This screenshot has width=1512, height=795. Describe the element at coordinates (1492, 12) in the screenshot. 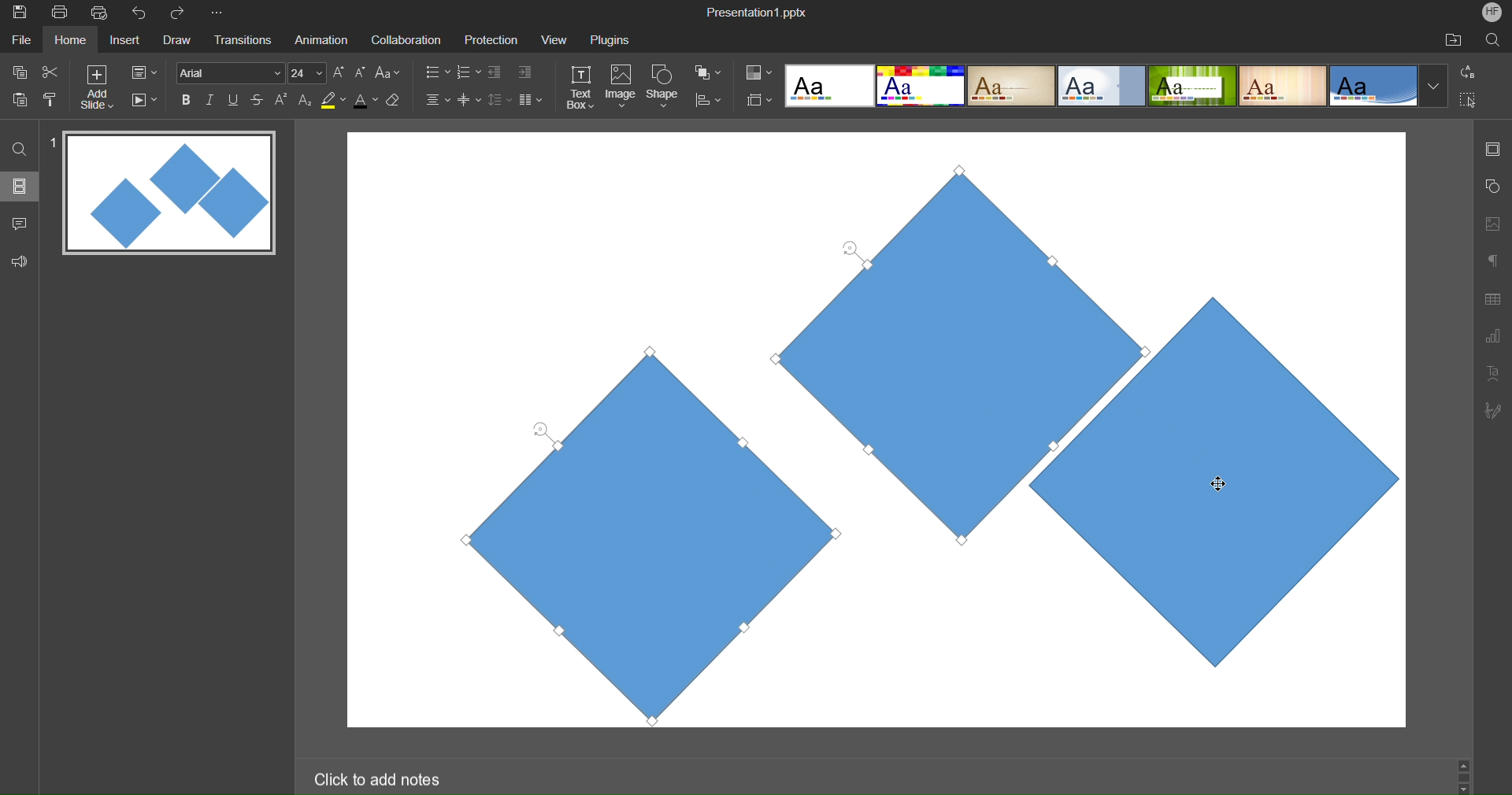

I see `Account` at that location.